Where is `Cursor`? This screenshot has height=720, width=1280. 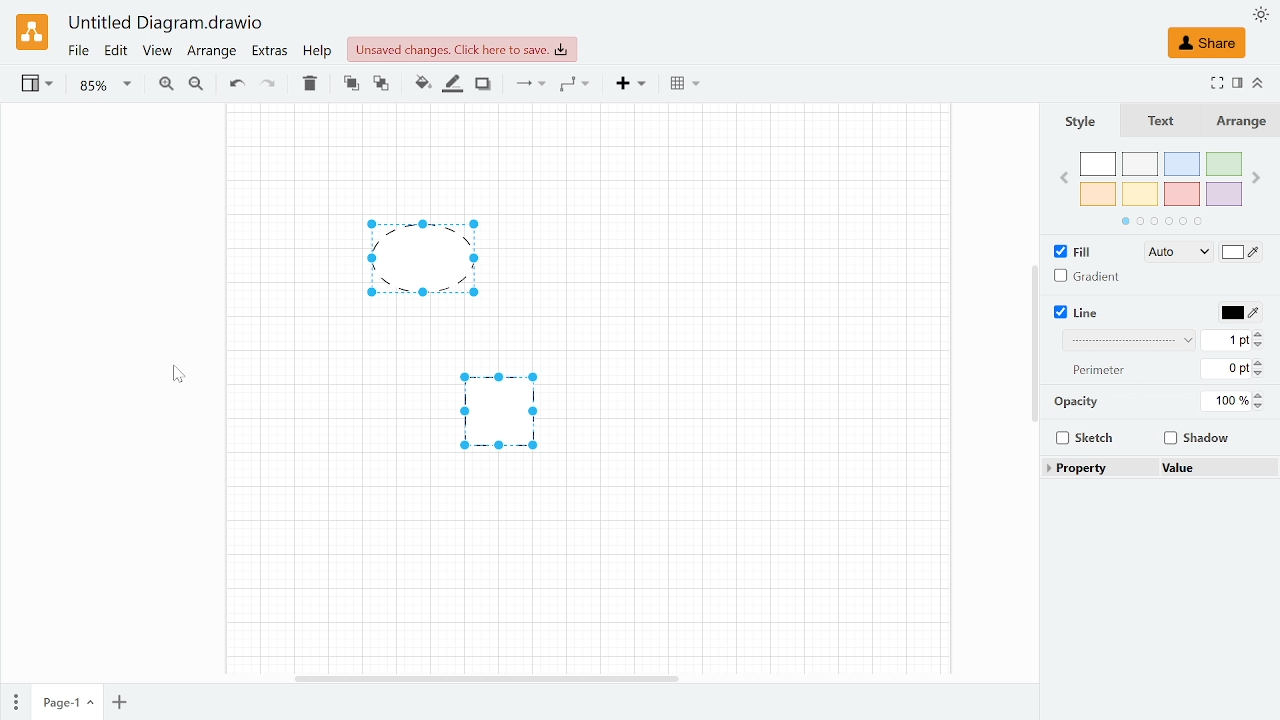 Cursor is located at coordinates (181, 381).